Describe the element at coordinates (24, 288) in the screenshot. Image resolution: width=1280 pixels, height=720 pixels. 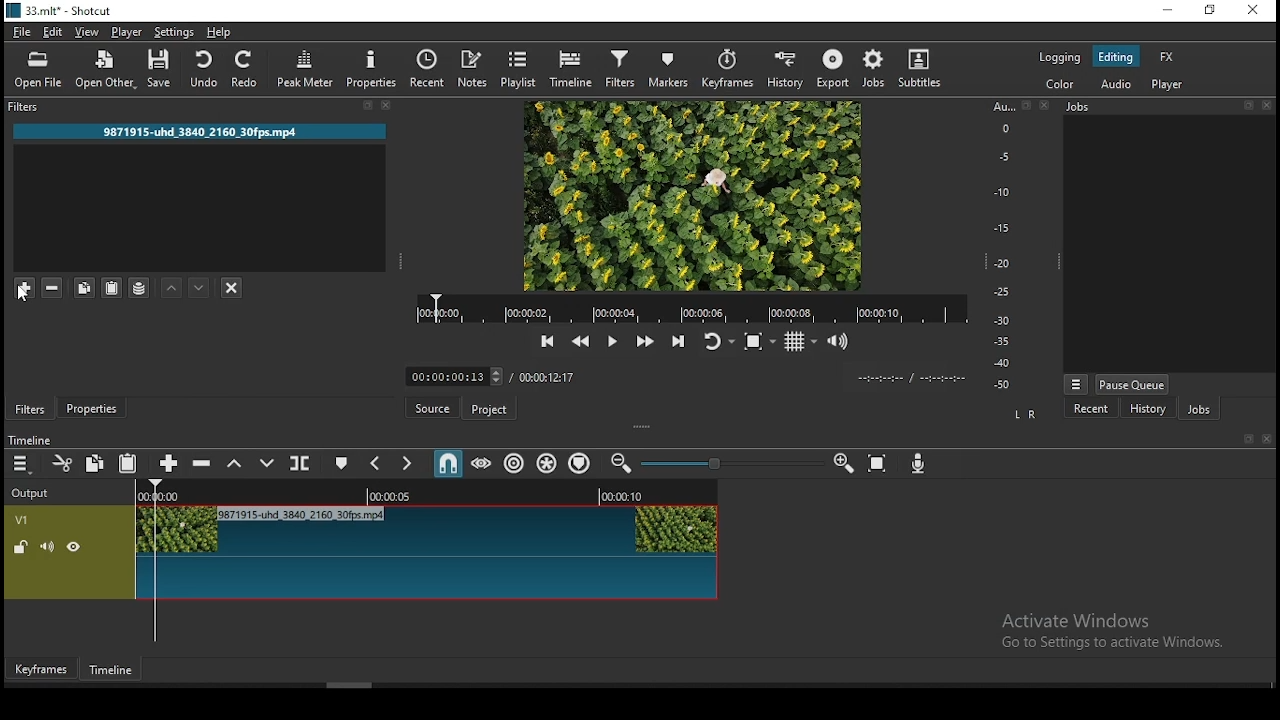
I see `mouse on add filter` at that location.